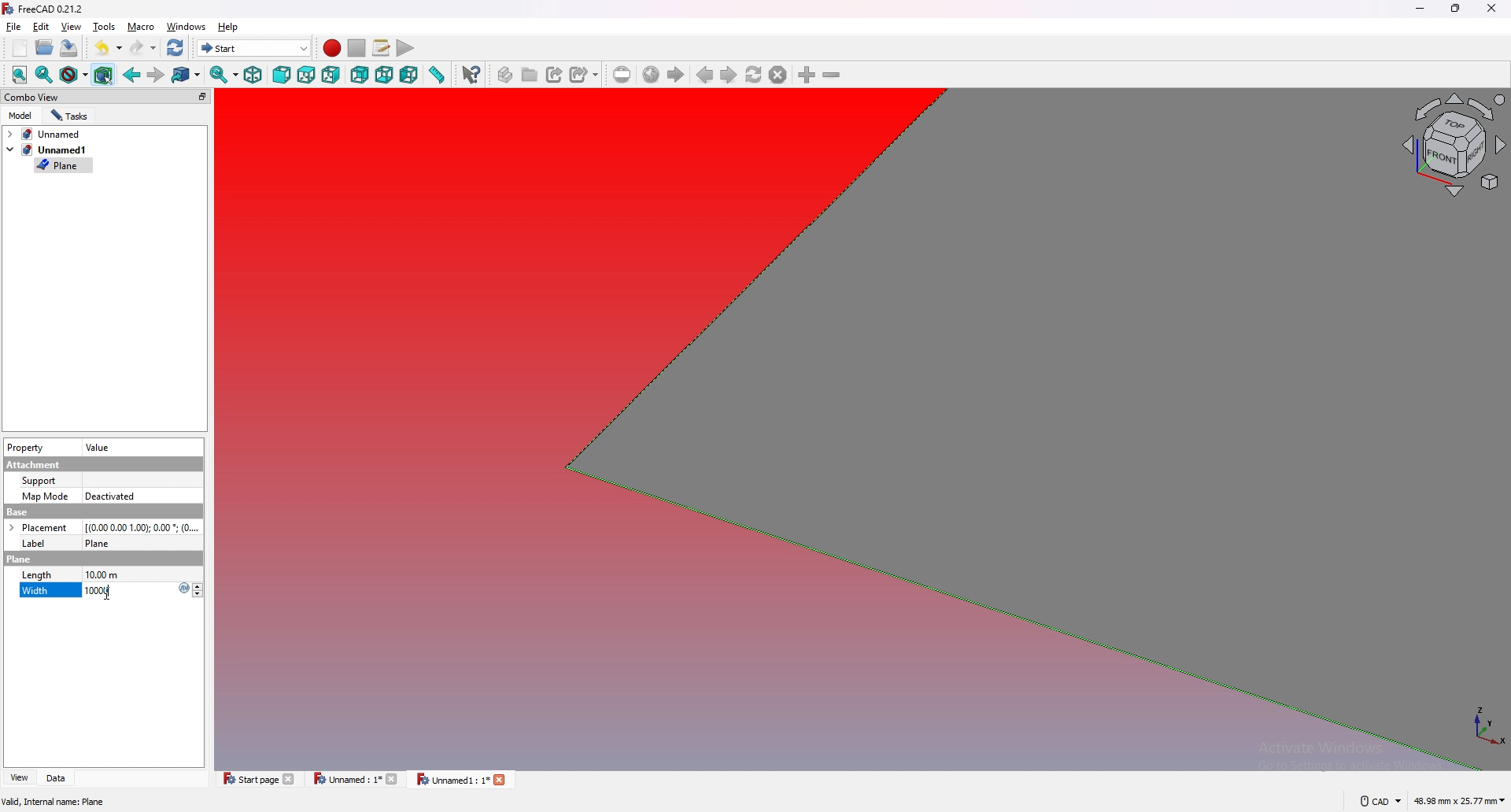 Image resolution: width=1511 pixels, height=812 pixels. What do you see at coordinates (360, 76) in the screenshot?
I see `rear` at bounding box center [360, 76].